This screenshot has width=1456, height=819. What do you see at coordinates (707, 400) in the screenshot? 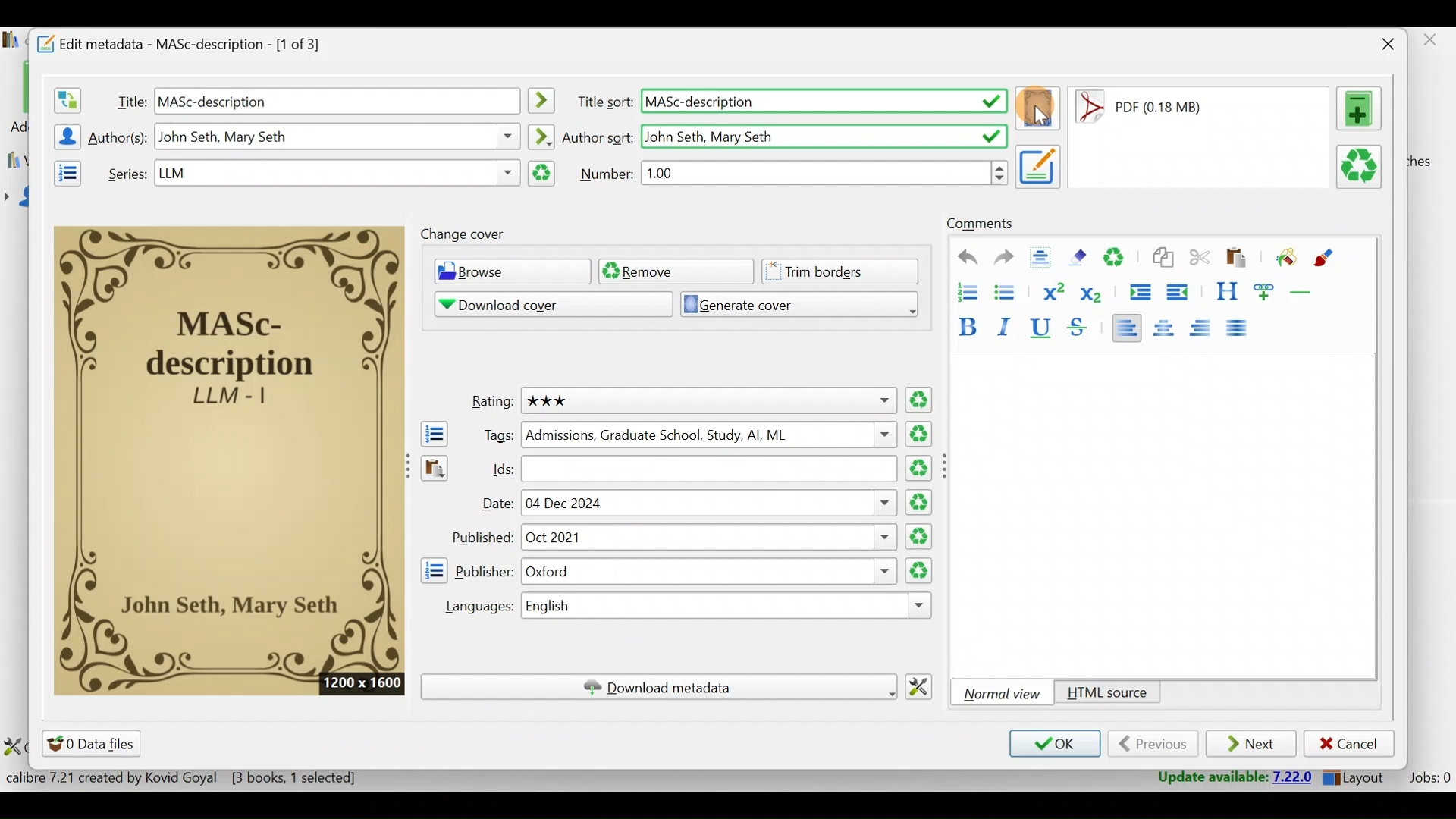
I see `` at bounding box center [707, 400].